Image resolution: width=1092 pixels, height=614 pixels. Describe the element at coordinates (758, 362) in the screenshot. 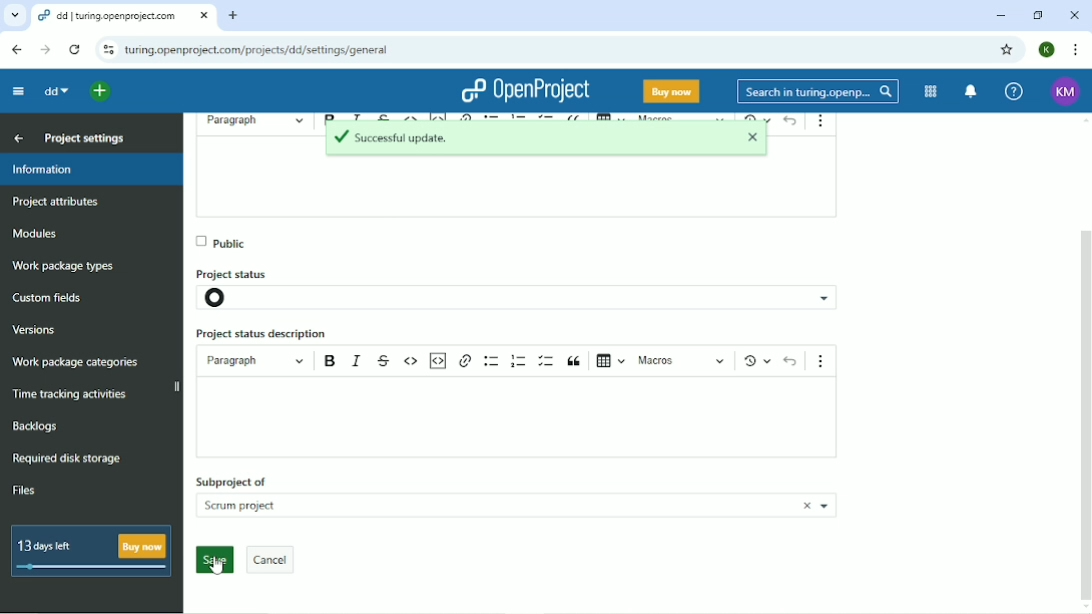

I see `Show local modifications` at that location.